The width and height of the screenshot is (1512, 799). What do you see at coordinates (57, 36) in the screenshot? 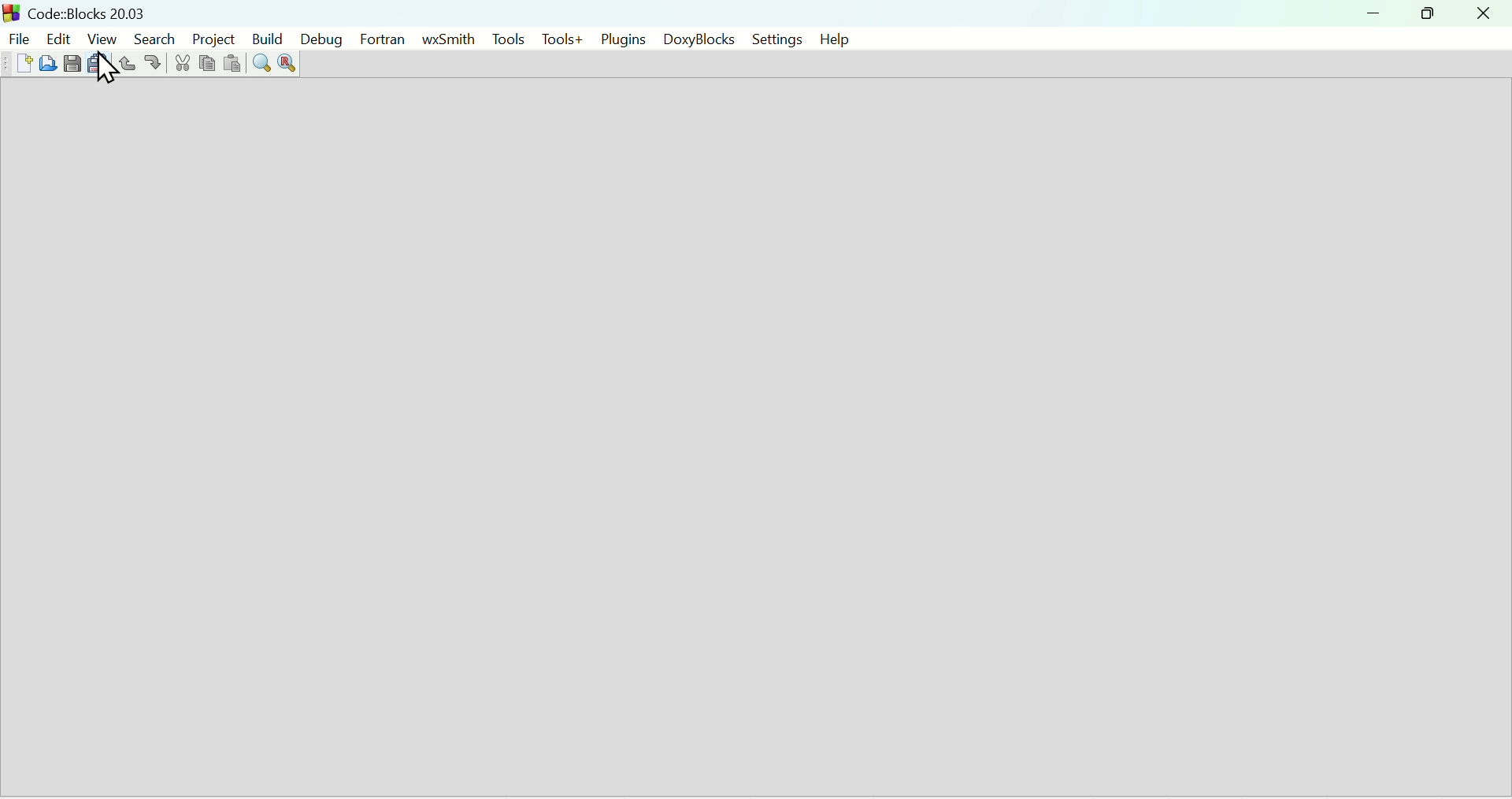
I see `edit` at bounding box center [57, 36].